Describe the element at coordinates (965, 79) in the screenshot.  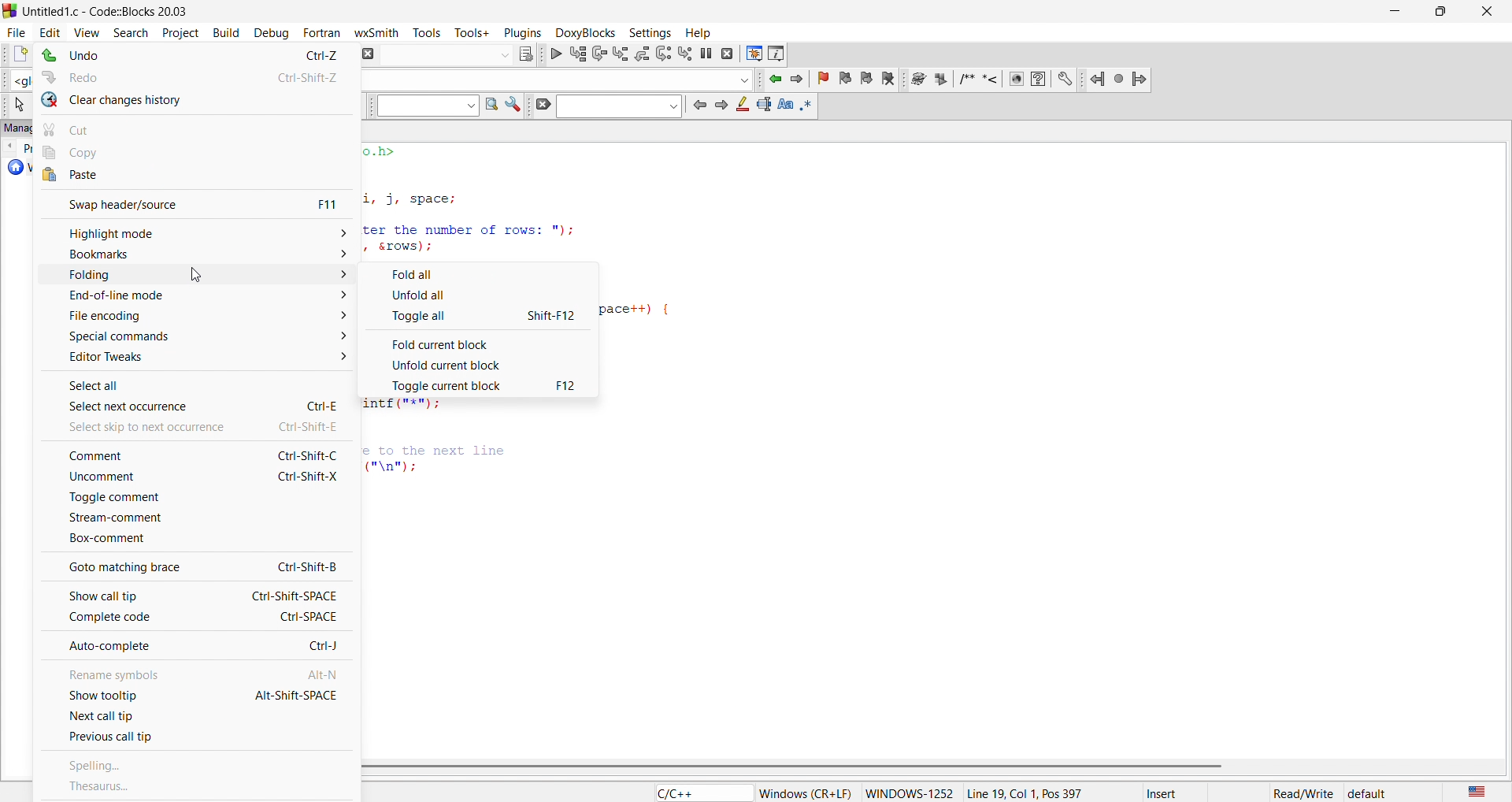
I see `insert comment box` at that location.